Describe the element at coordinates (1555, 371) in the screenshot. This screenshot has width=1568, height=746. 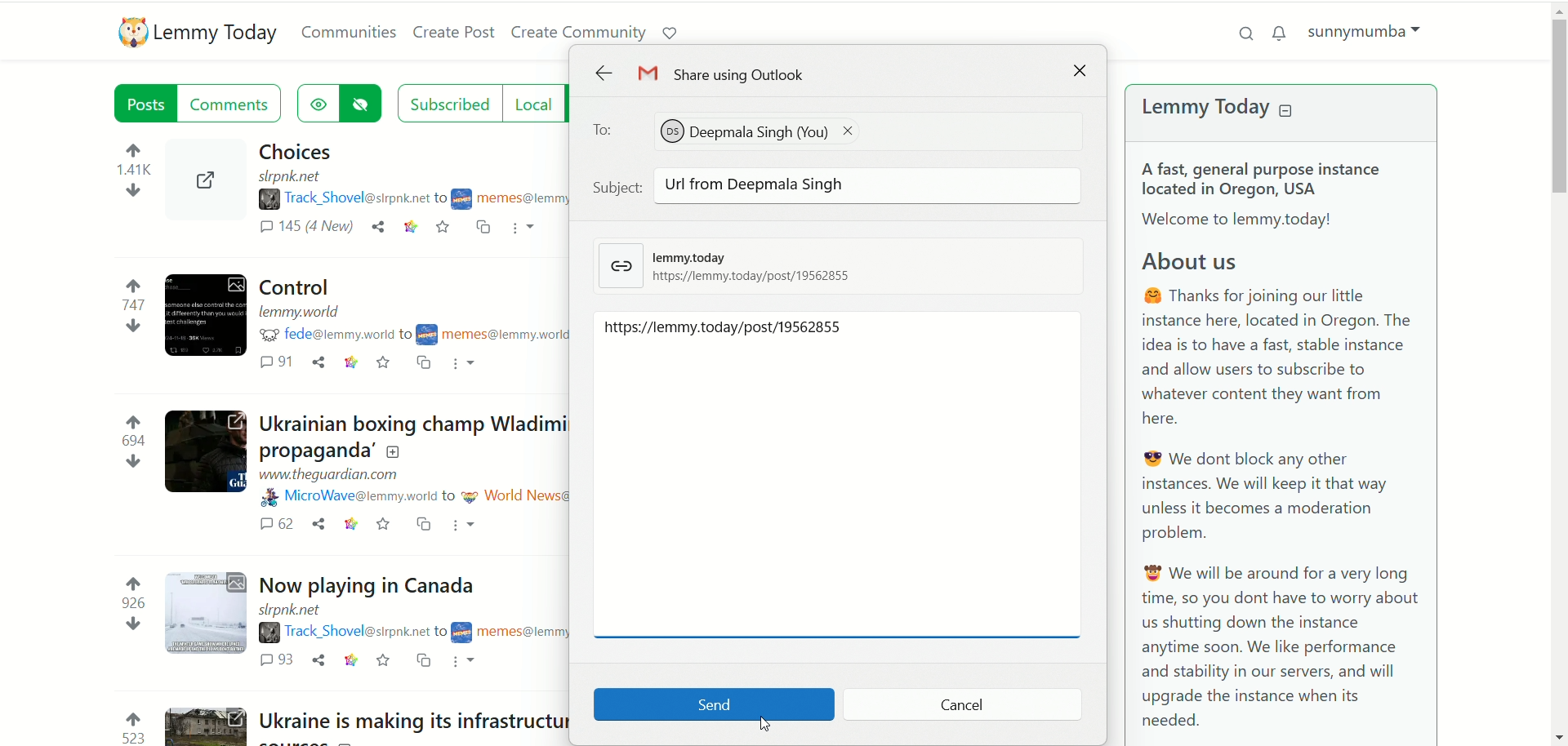
I see `vertical scroll bar` at that location.